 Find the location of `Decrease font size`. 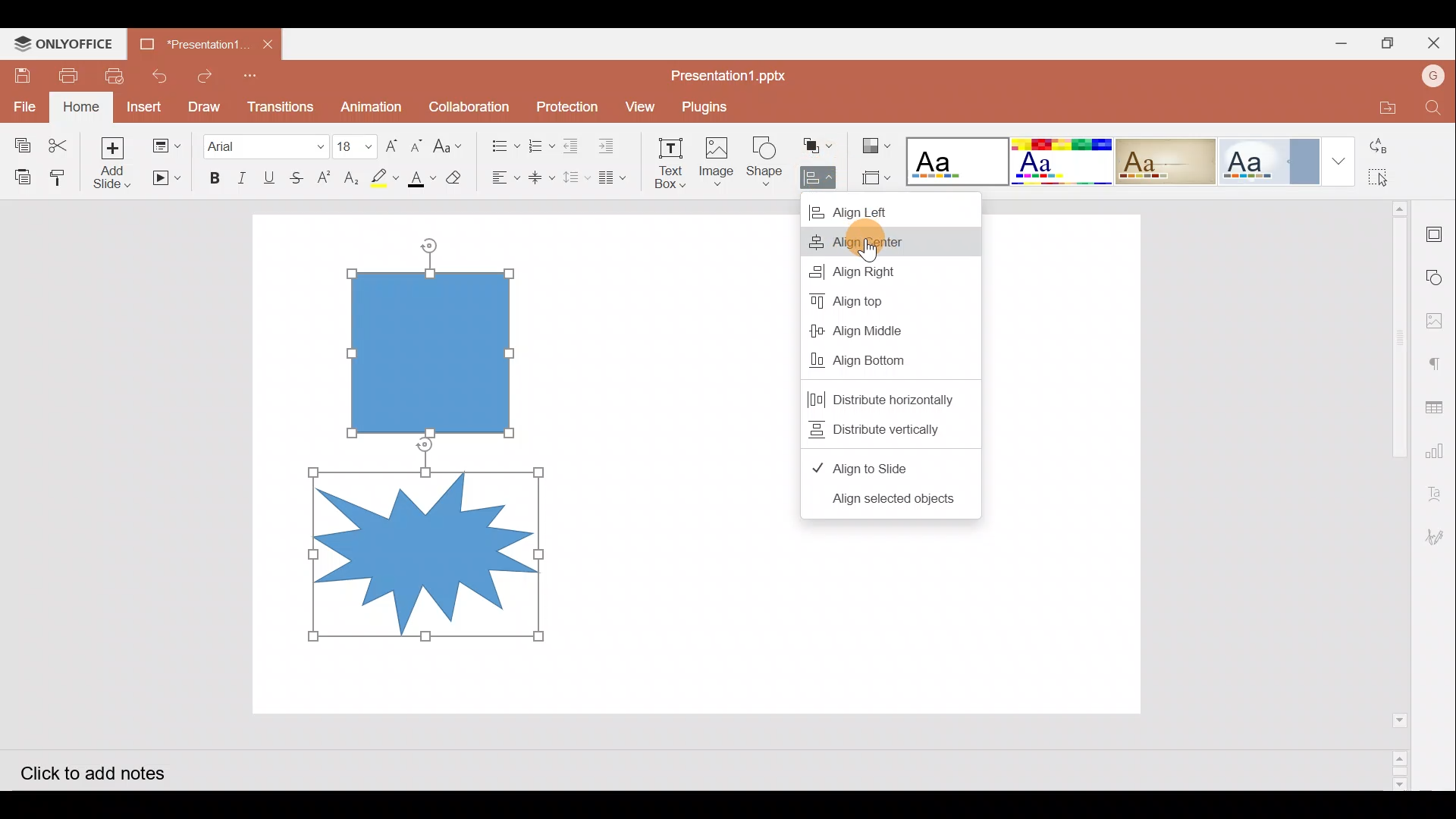

Decrease font size is located at coordinates (419, 143).